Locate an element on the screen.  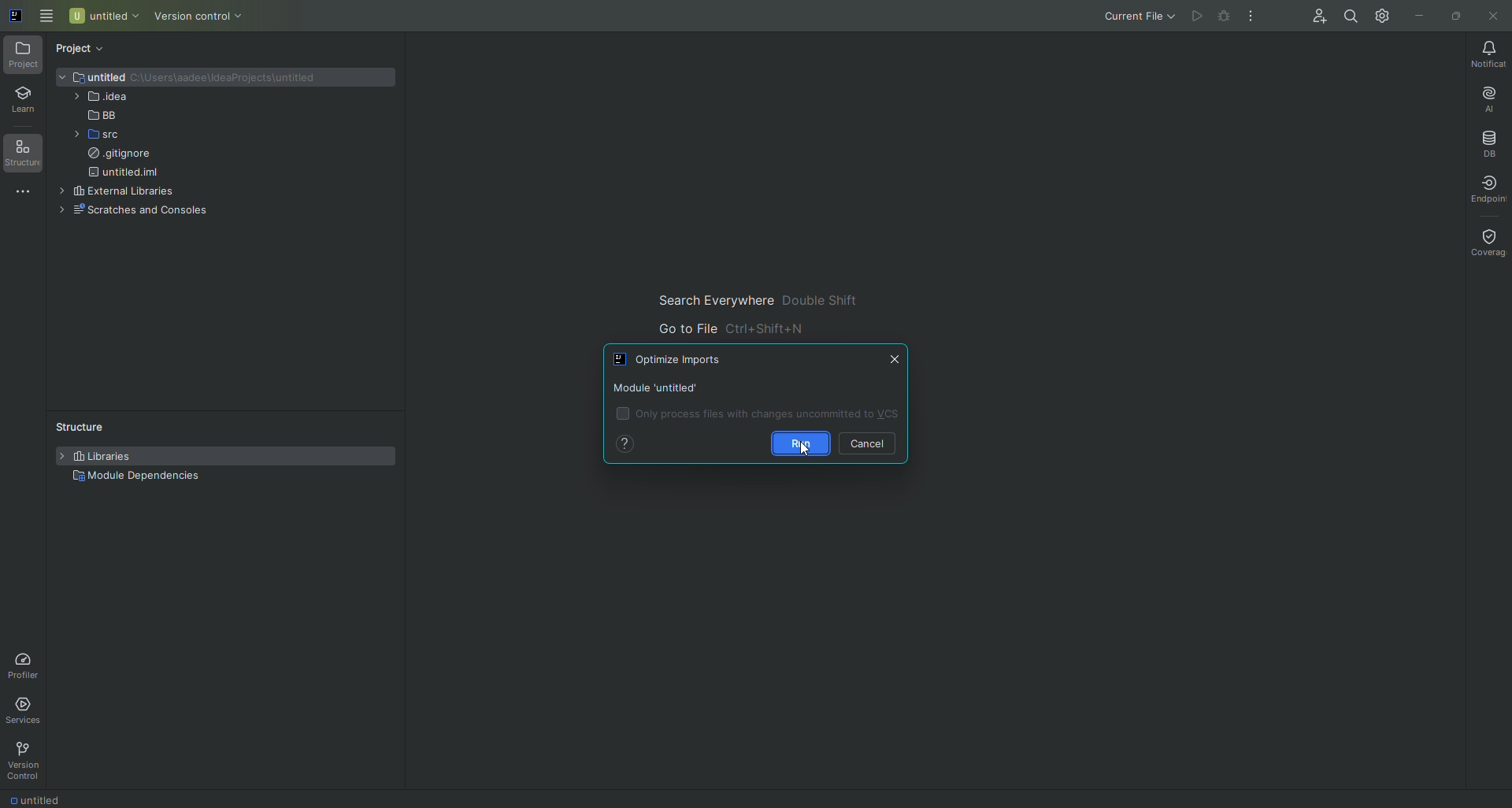
Project is located at coordinates (83, 50).